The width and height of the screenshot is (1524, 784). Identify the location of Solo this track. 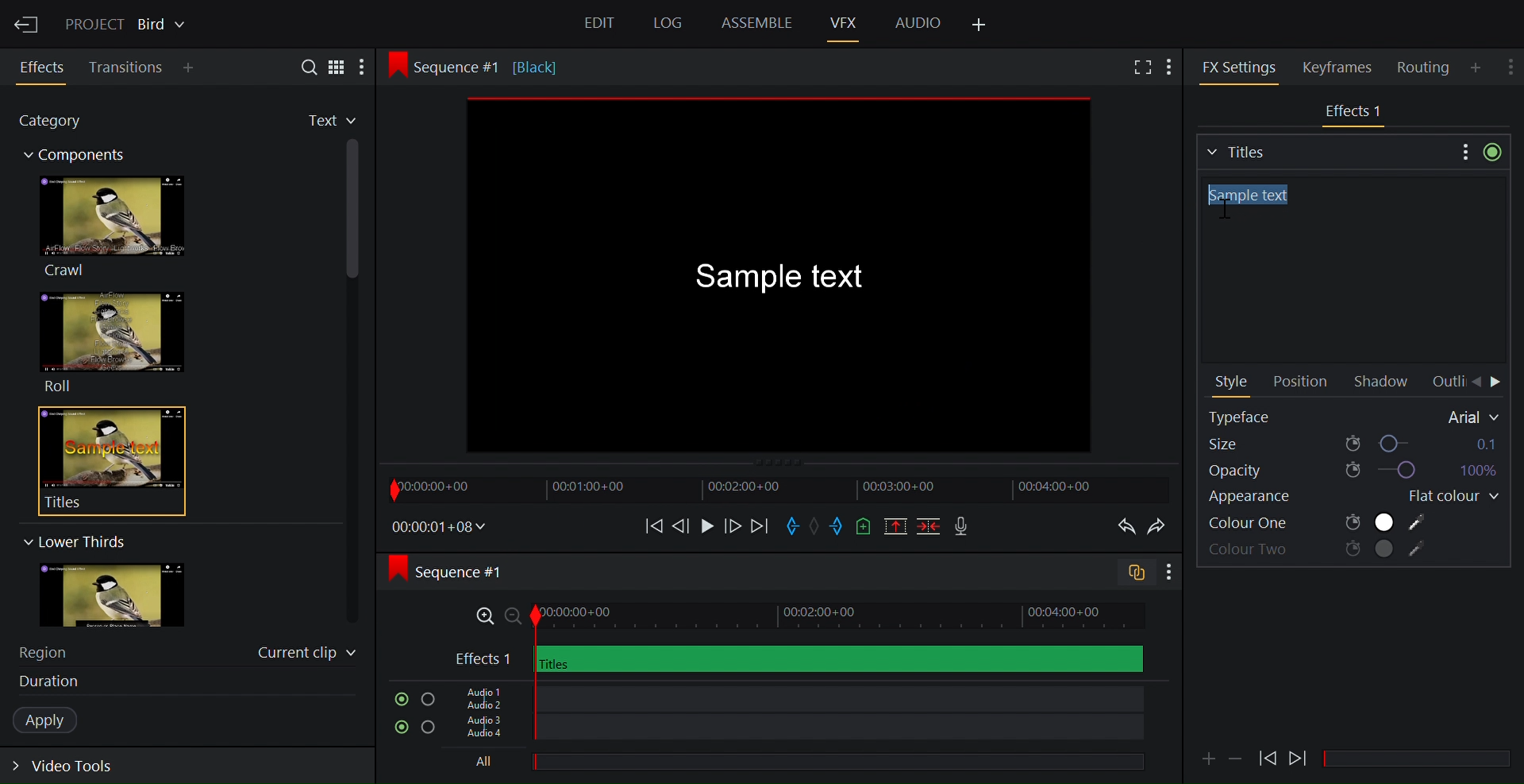
(429, 729).